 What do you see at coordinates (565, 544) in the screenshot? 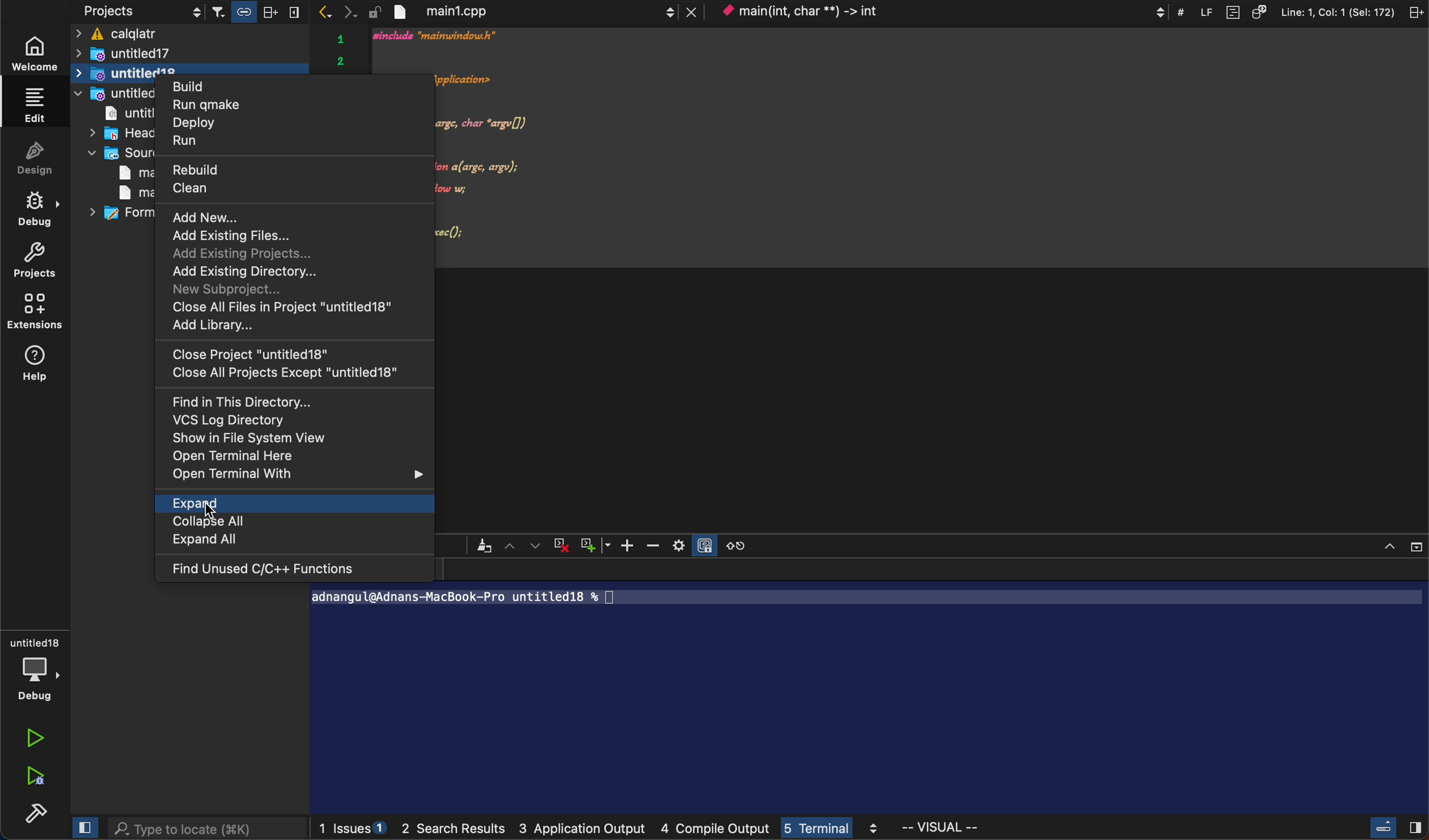
I see `cross` at bounding box center [565, 544].